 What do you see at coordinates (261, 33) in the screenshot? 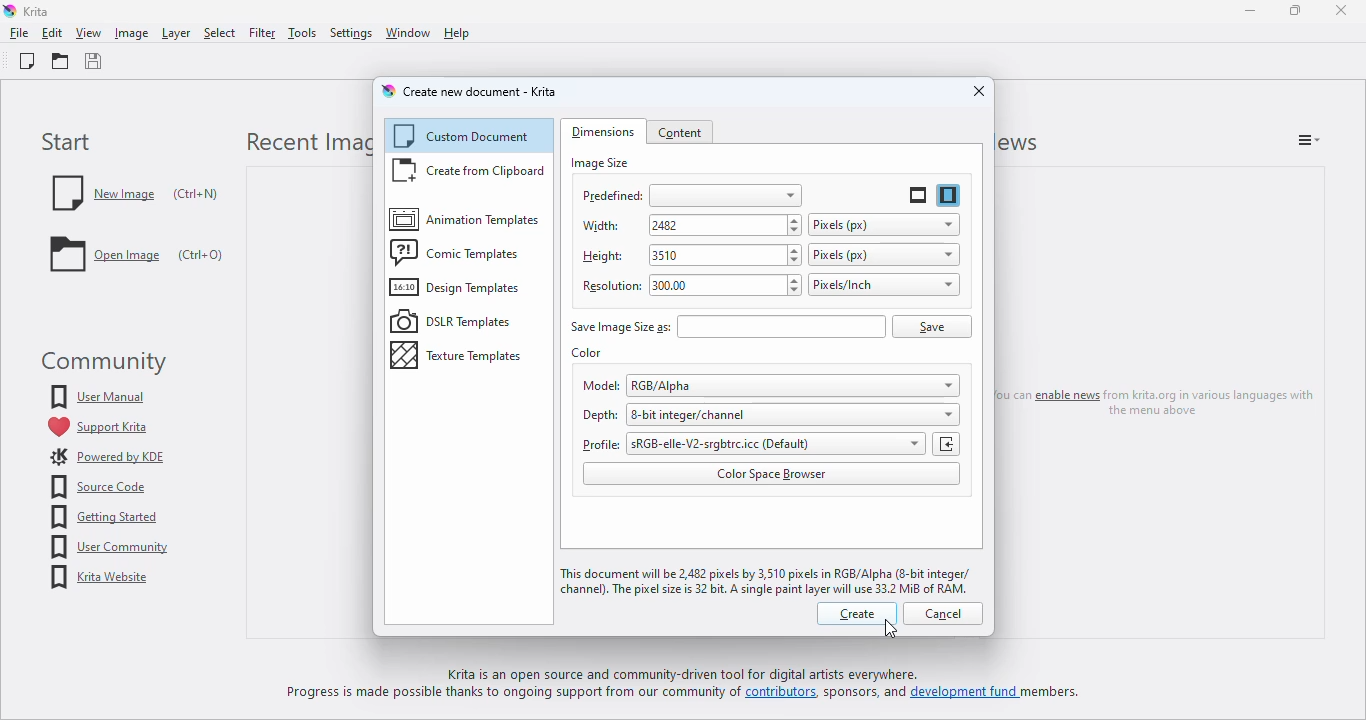
I see `filter` at bounding box center [261, 33].